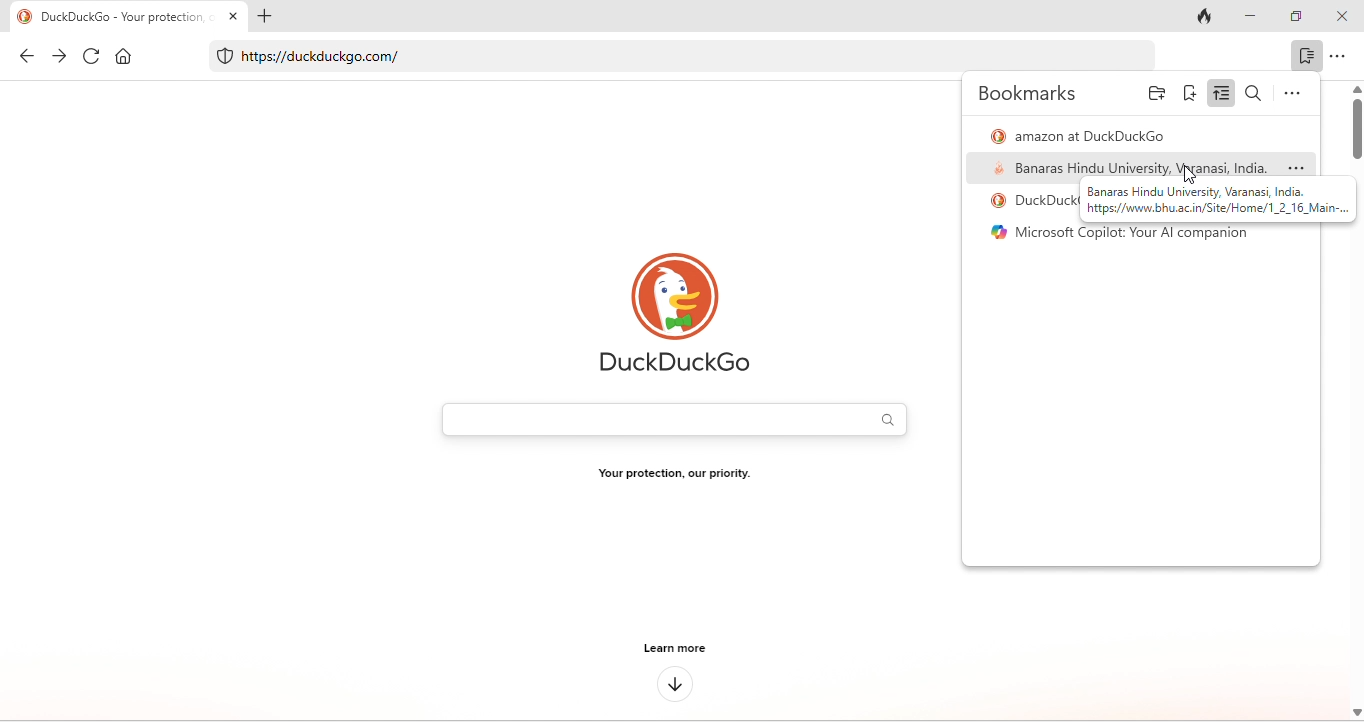 The height and width of the screenshot is (722, 1364). I want to click on Hyperlink to Banaras Hindu University, so click(1140, 167).